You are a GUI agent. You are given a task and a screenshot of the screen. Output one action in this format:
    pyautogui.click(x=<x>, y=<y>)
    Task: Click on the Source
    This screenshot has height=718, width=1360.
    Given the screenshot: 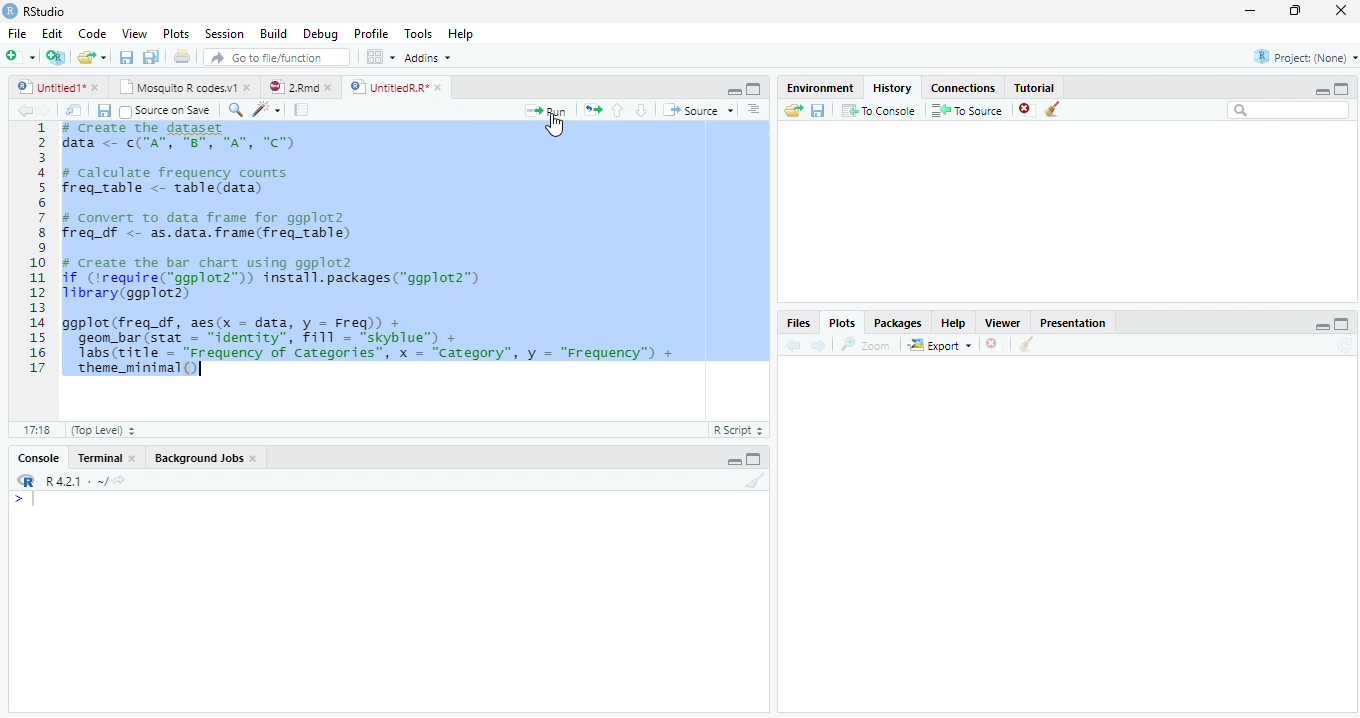 What is the action you would take?
    pyautogui.click(x=701, y=111)
    